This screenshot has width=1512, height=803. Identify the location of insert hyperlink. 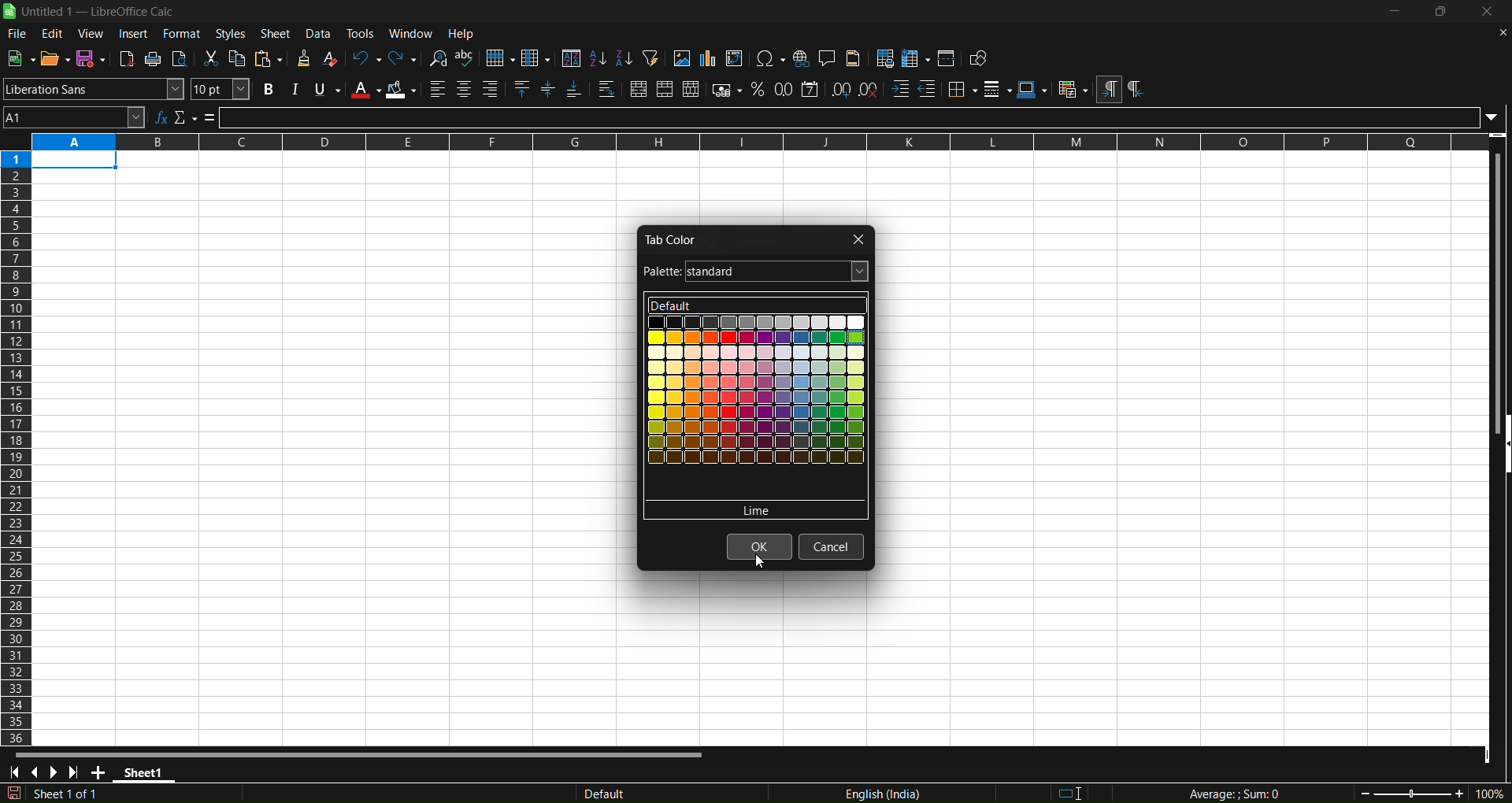
(802, 58).